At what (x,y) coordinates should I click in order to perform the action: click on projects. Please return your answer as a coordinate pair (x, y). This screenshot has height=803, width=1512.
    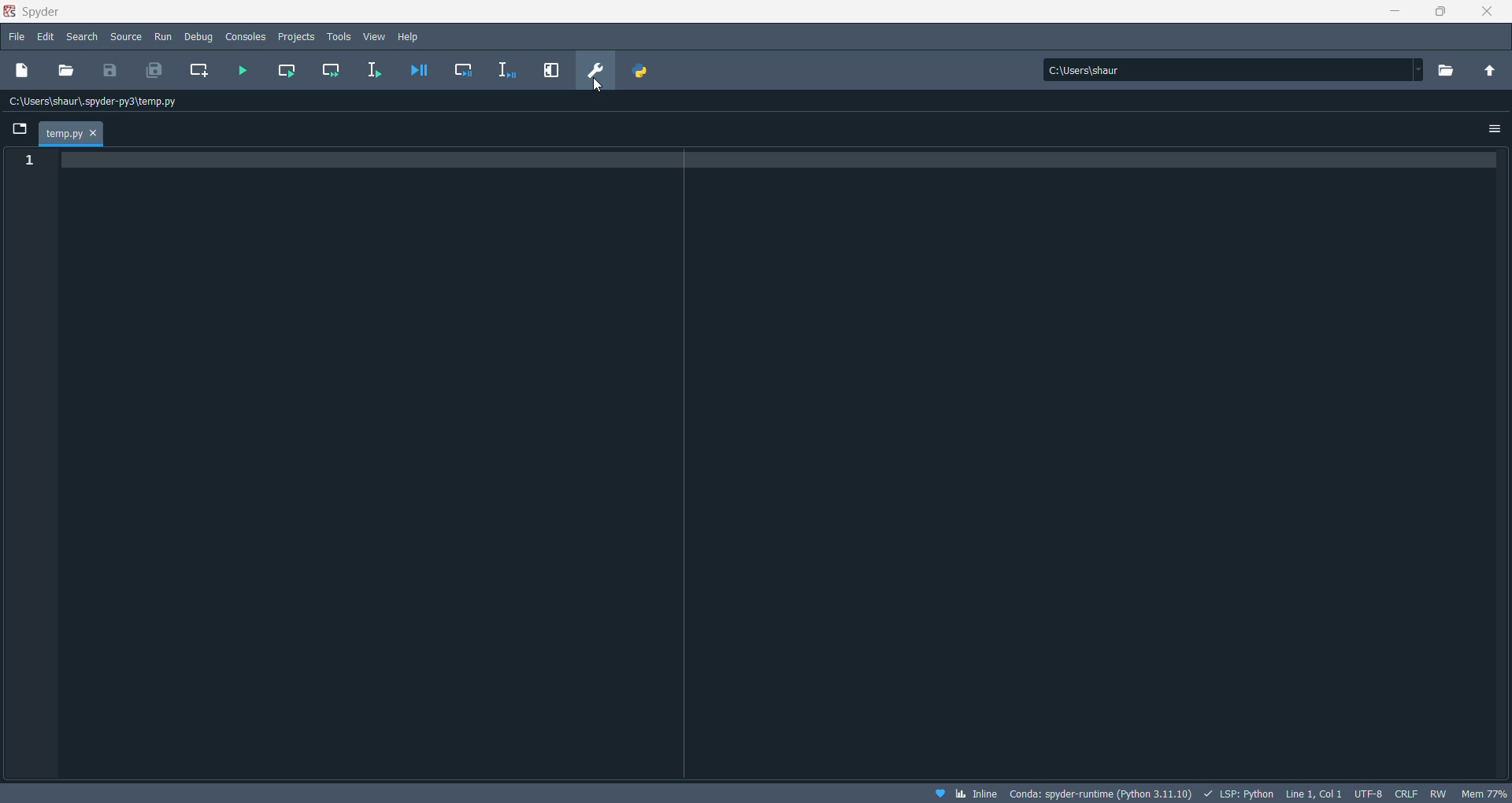
    Looking at the image, I should click on (298, 37).